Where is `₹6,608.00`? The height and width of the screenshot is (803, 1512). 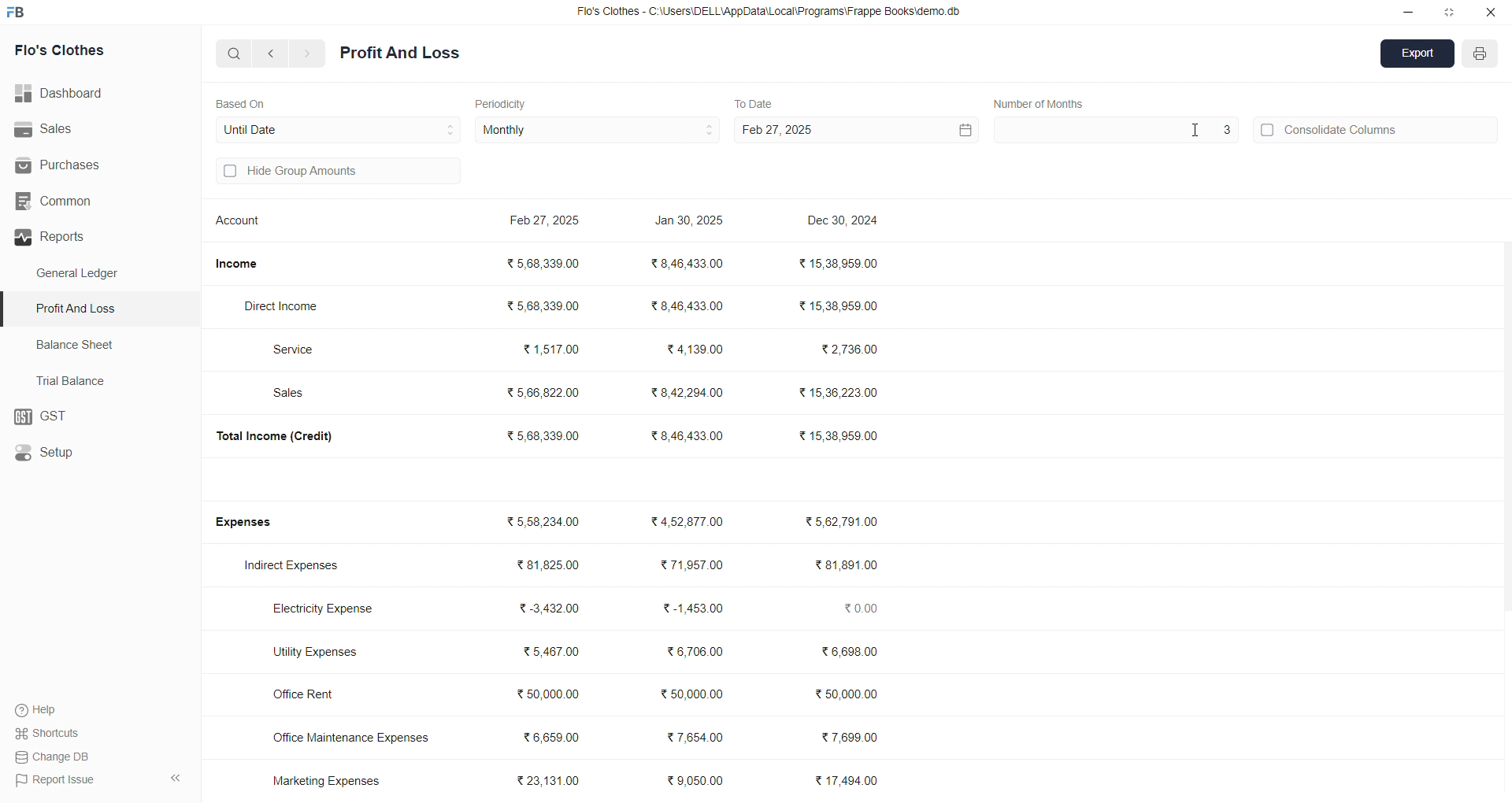 ₹6,608.00 is located at coordinates (852, 652).